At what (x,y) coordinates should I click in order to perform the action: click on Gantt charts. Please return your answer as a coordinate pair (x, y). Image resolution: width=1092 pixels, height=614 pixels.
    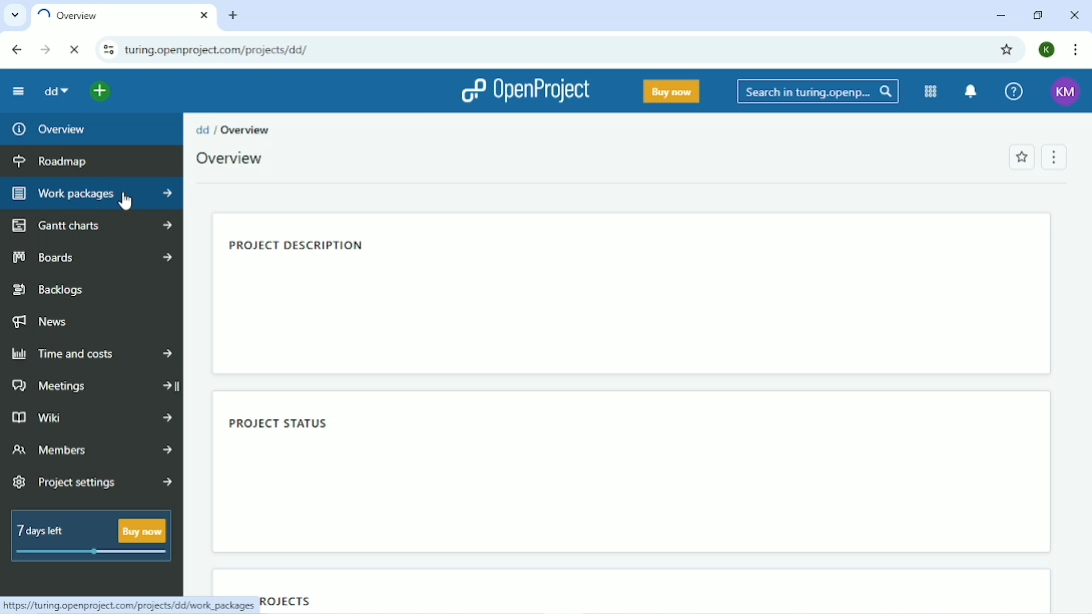
    Looking at the image, I should click on (92, 227).